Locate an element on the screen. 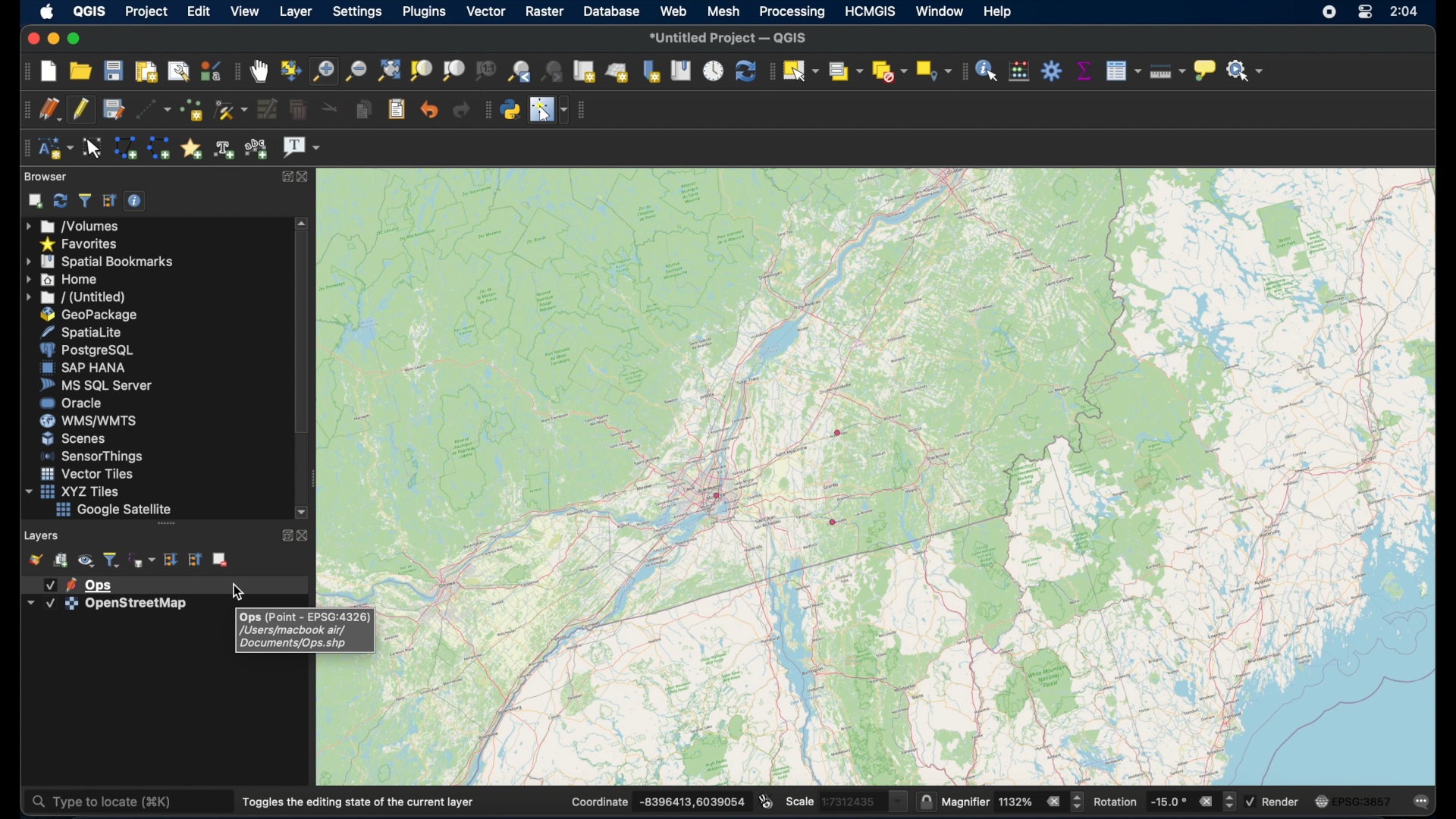  oracle is located at coordinates (70, 402).